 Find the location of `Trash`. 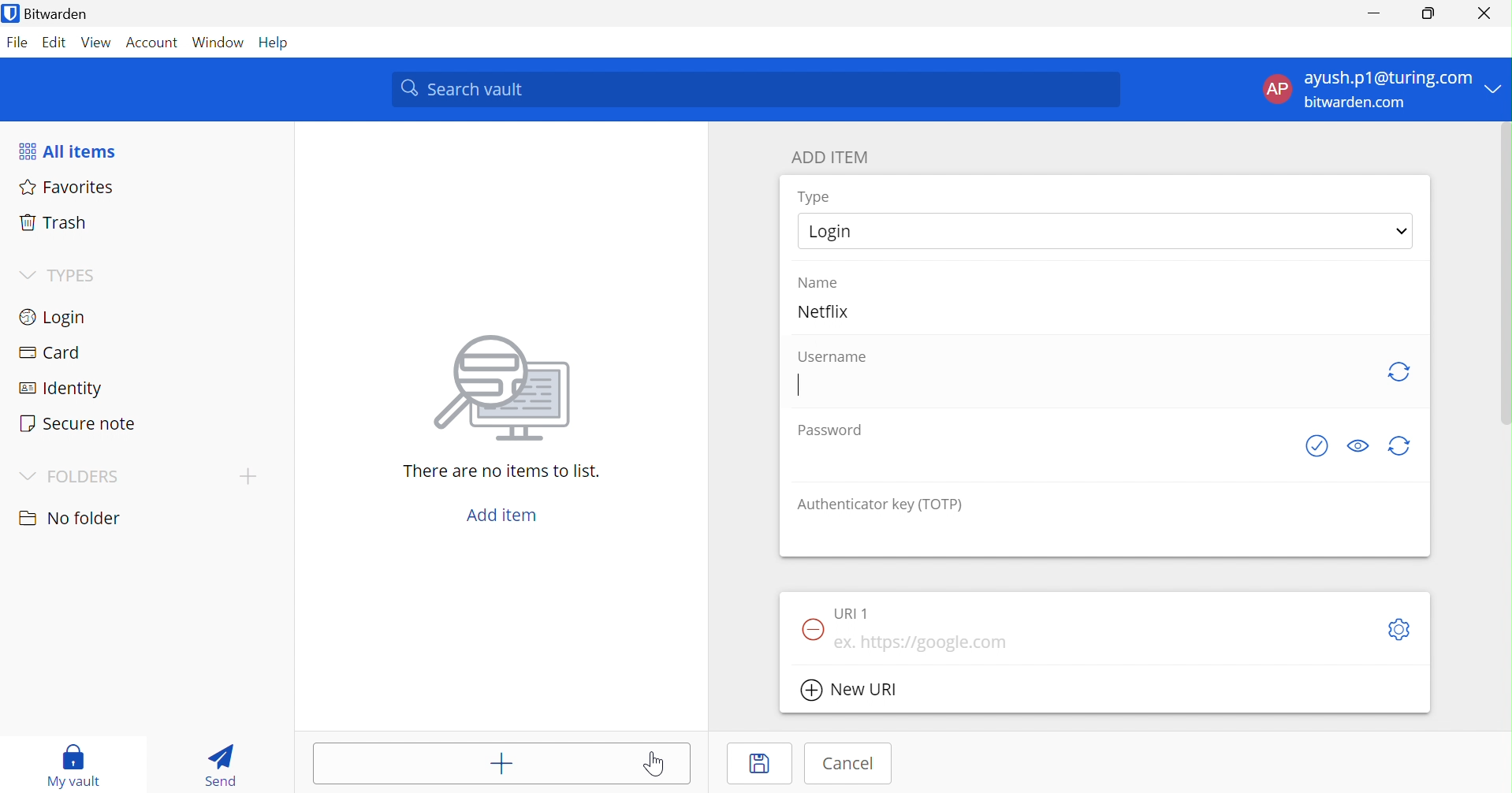

Trash is located at coordinates (52, 222).